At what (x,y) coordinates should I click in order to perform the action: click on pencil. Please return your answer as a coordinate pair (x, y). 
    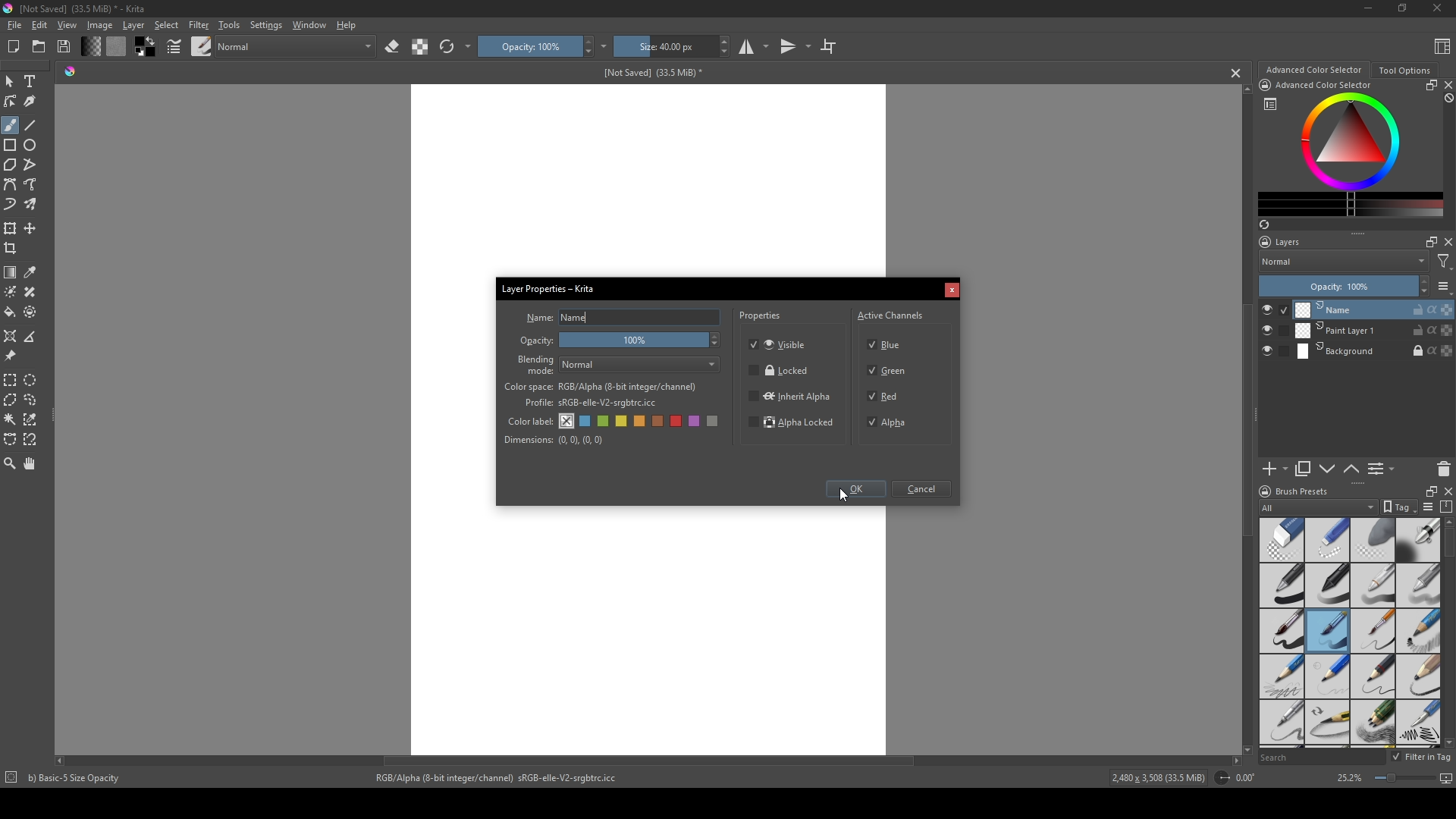
    Looking at the image, I should click on (1373, 676).